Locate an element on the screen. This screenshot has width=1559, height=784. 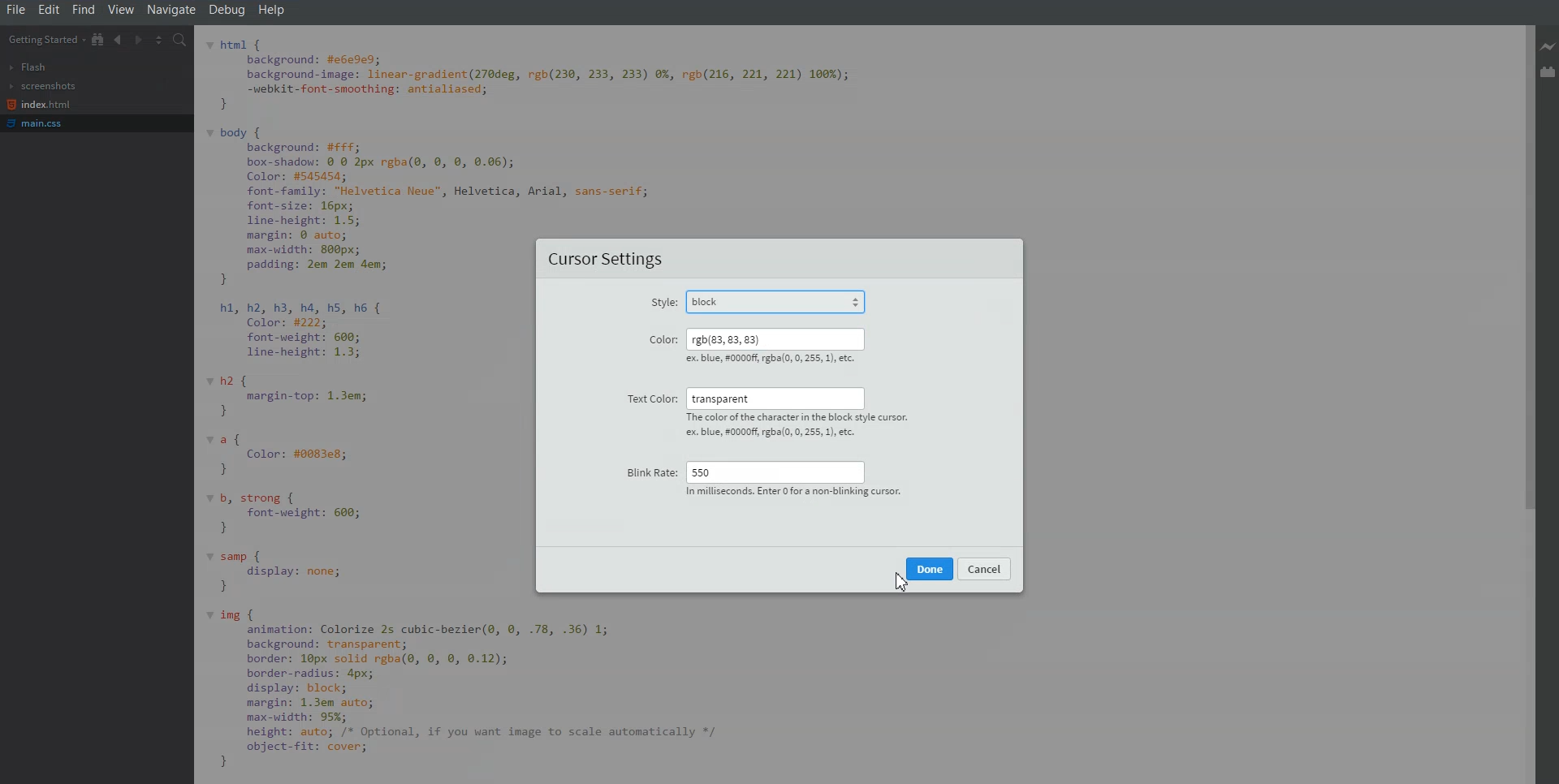
The color of the character in the block style cursor.
‘ex. blue, #0000f, rgba(0, 0, 255, 1), etc. is located at coordinates (805, 425).